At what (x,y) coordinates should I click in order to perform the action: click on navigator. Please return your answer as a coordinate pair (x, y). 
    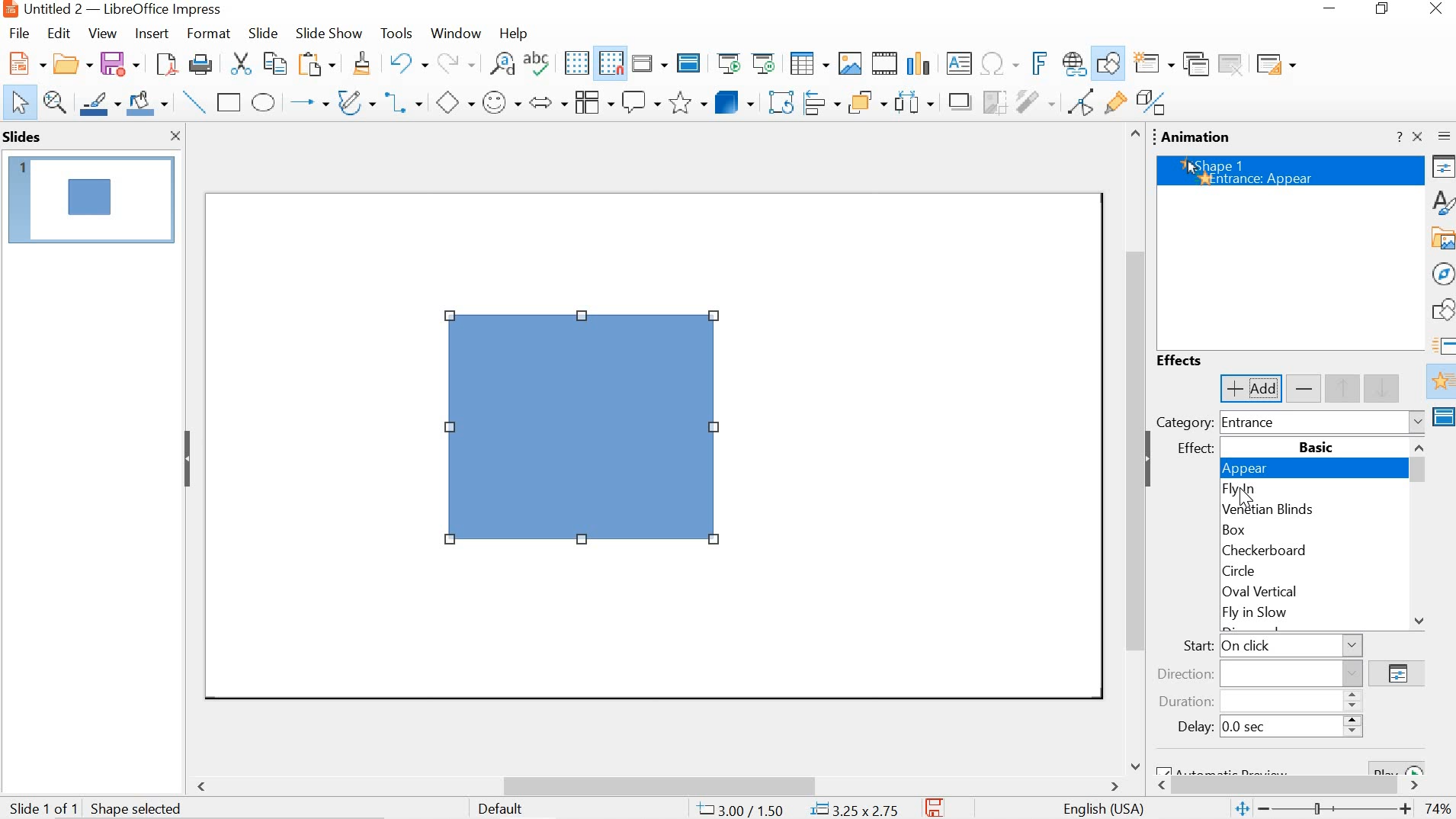
    Looking at the image, I should click on (1443, 271).